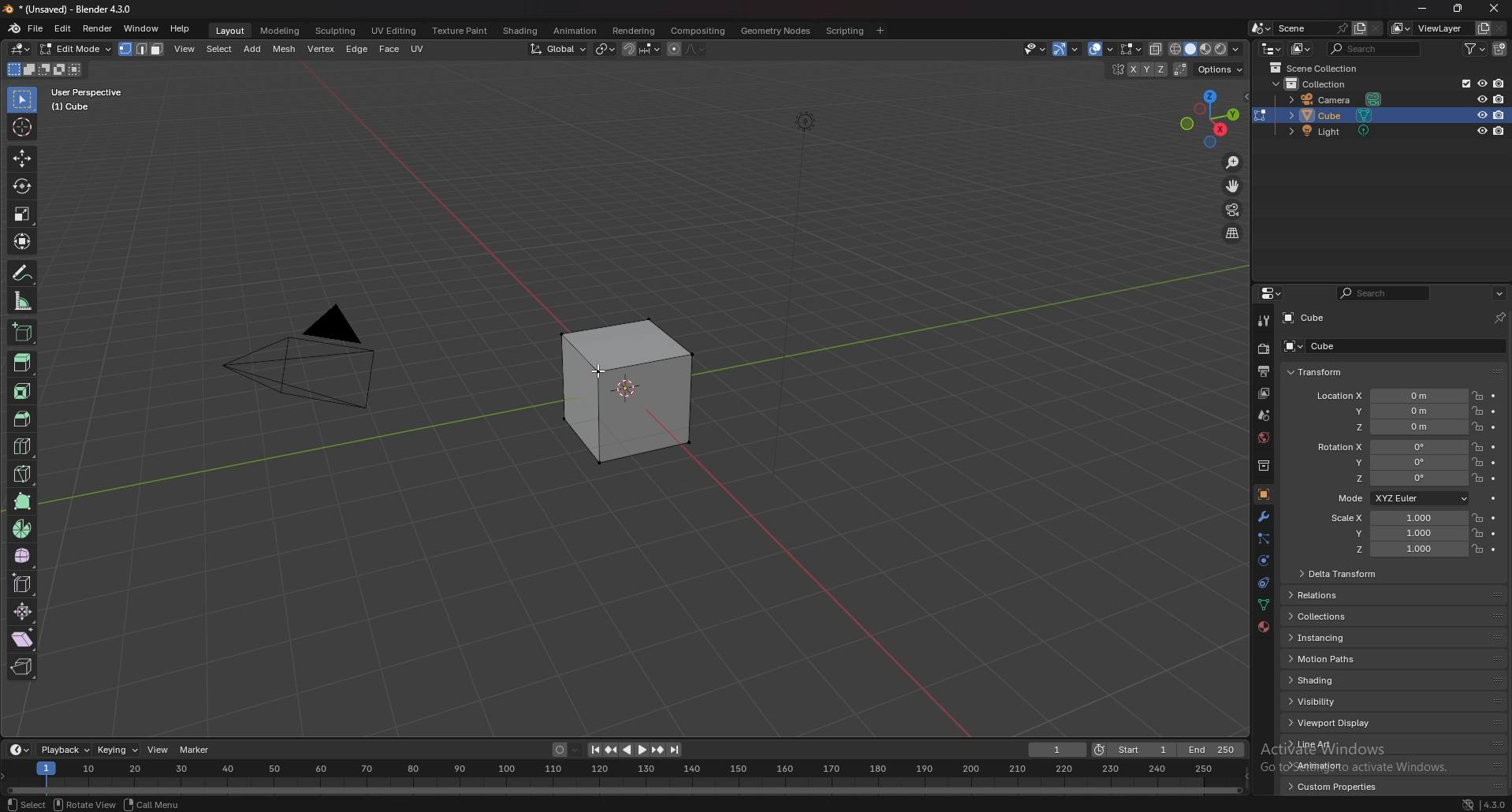  Describe the element at coordinates (253, 49) in the screenshot. I see `add` at that location.